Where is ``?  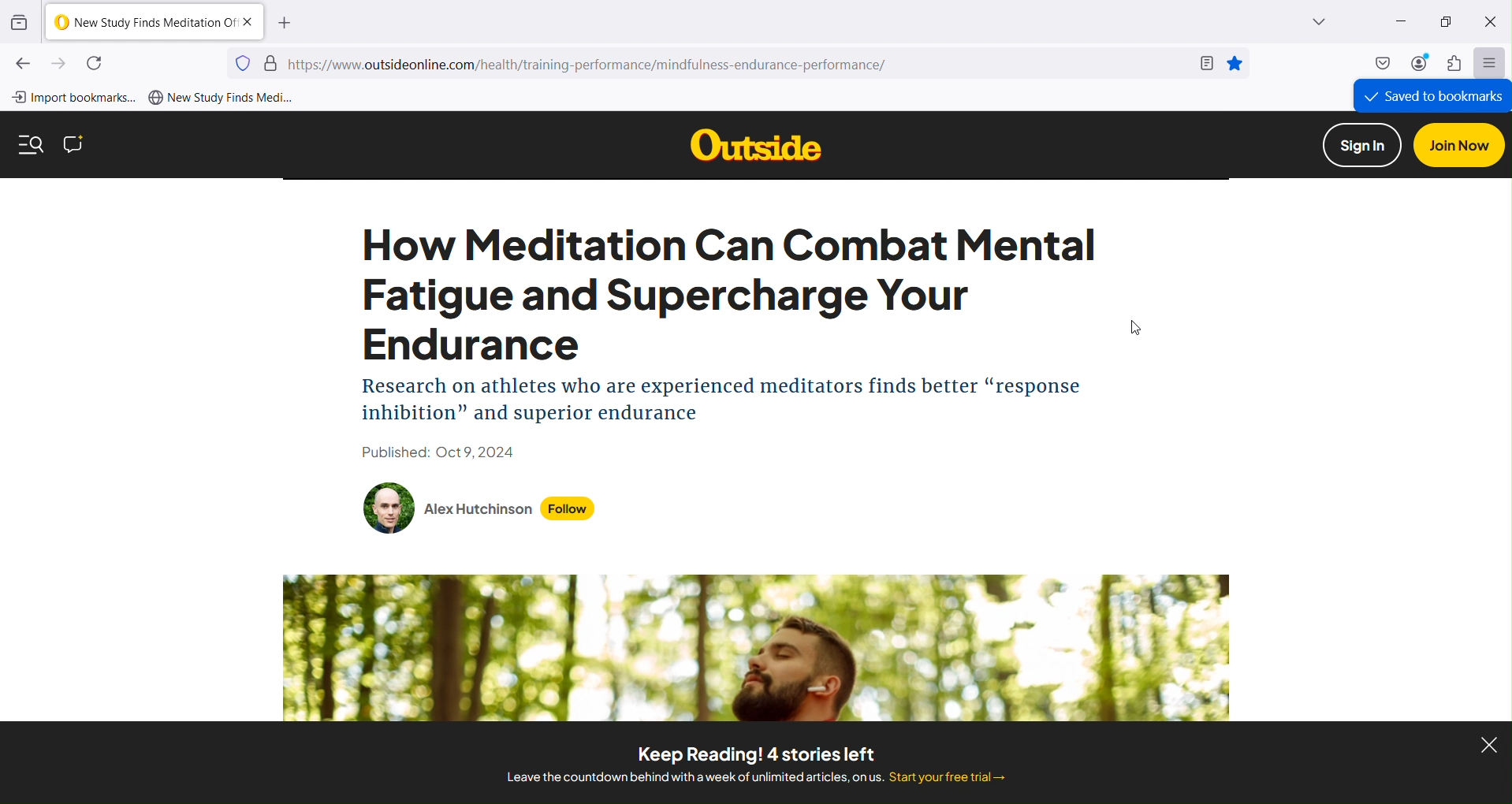  is located at coordinates (755, 144).